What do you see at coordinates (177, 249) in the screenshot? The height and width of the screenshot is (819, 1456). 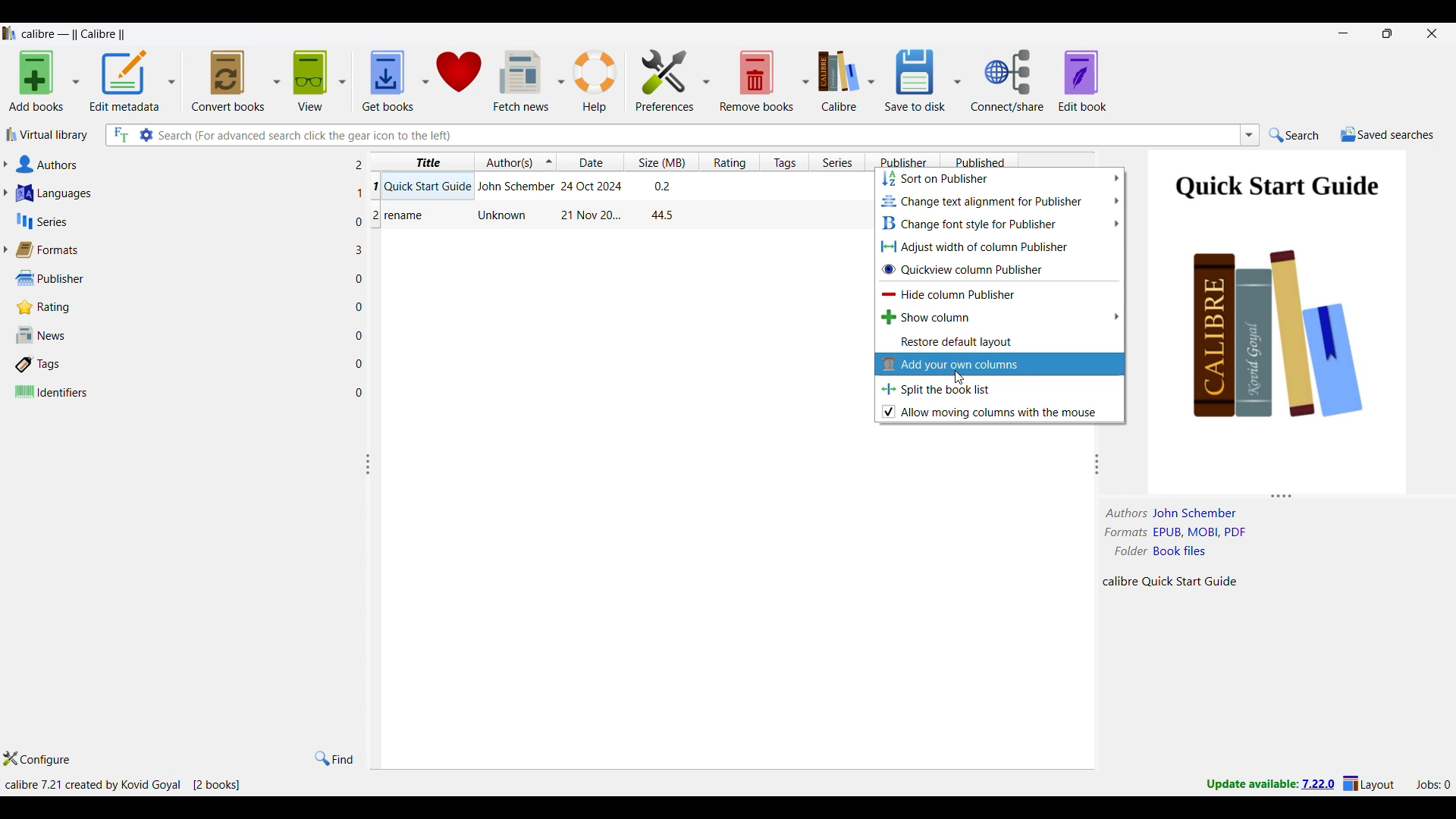 I see `Formats` at bounding box center [177, 249].